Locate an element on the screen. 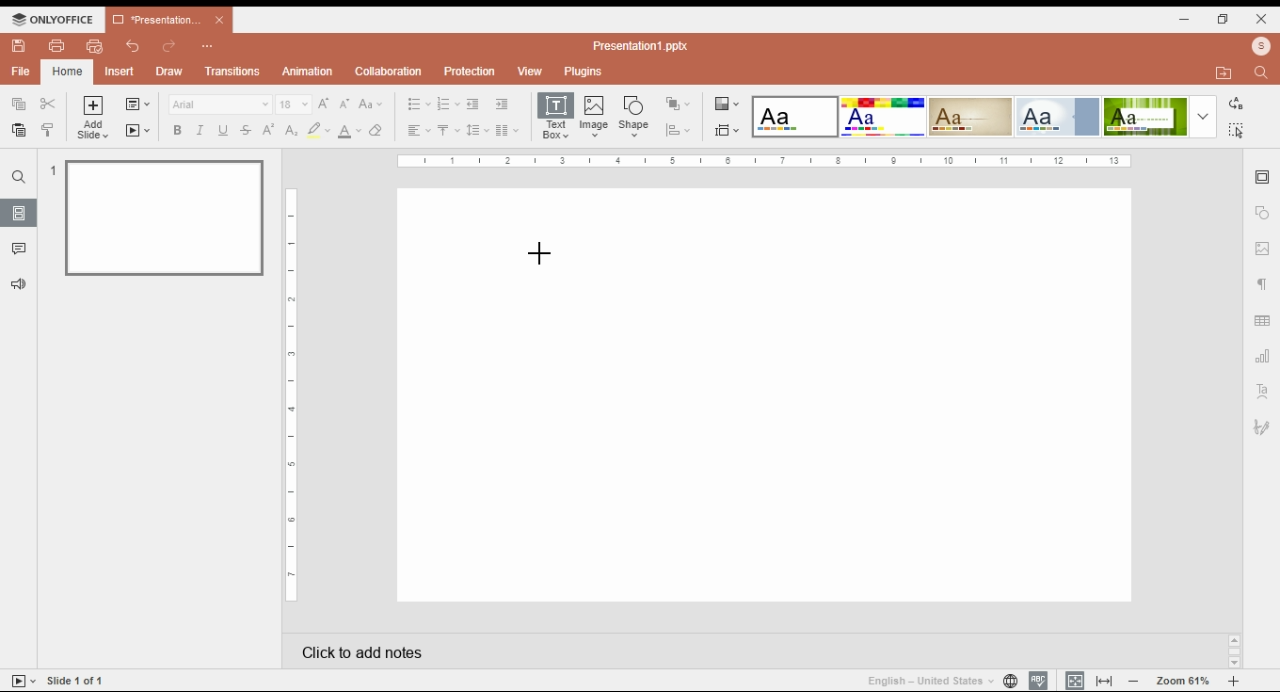 The height and width of the screenshot is (692, 1280). customize quick access is located at coordinates (209, 47).